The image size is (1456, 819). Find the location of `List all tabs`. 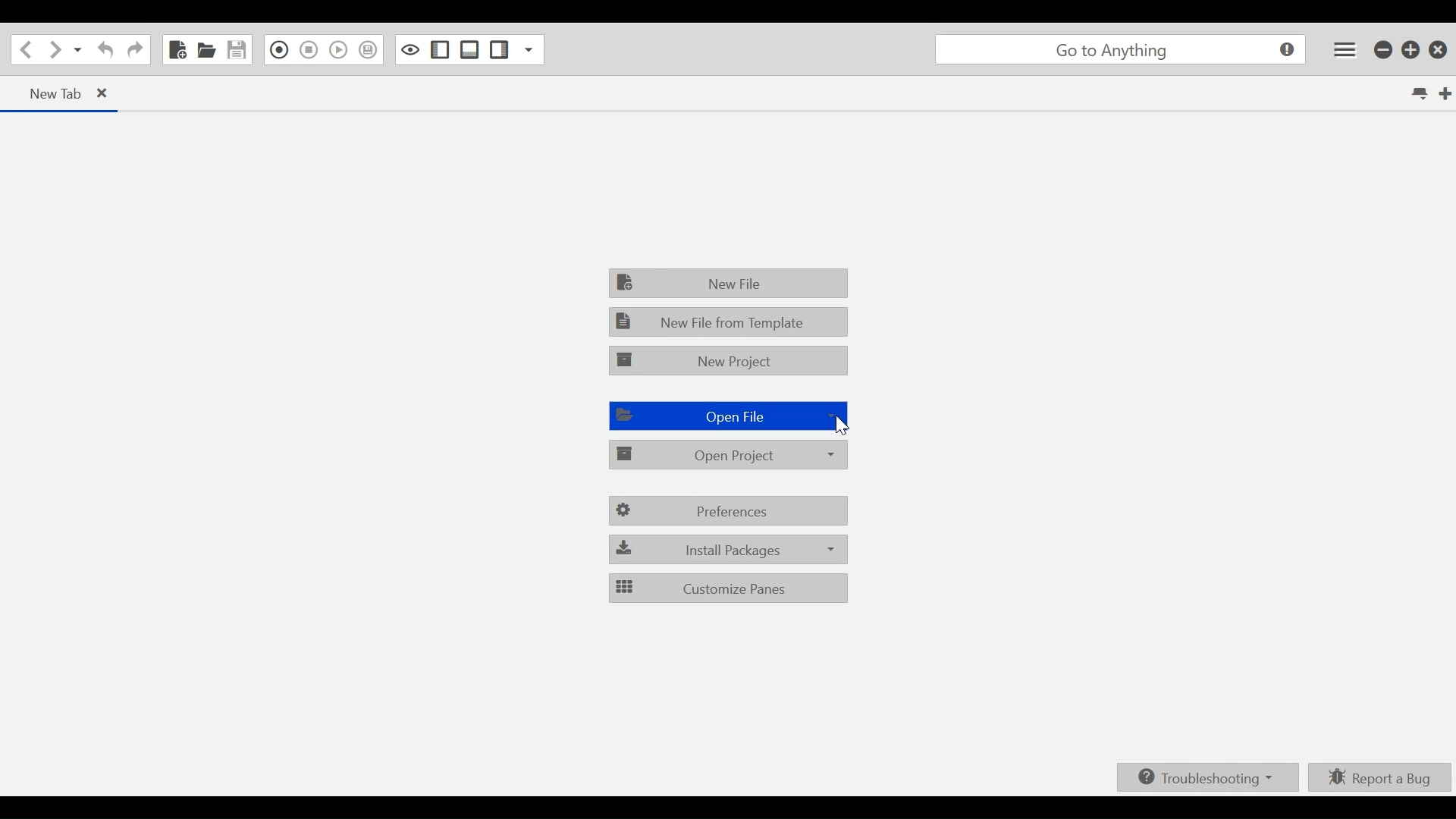

List all tabs is located at coordinates (1418, 93).